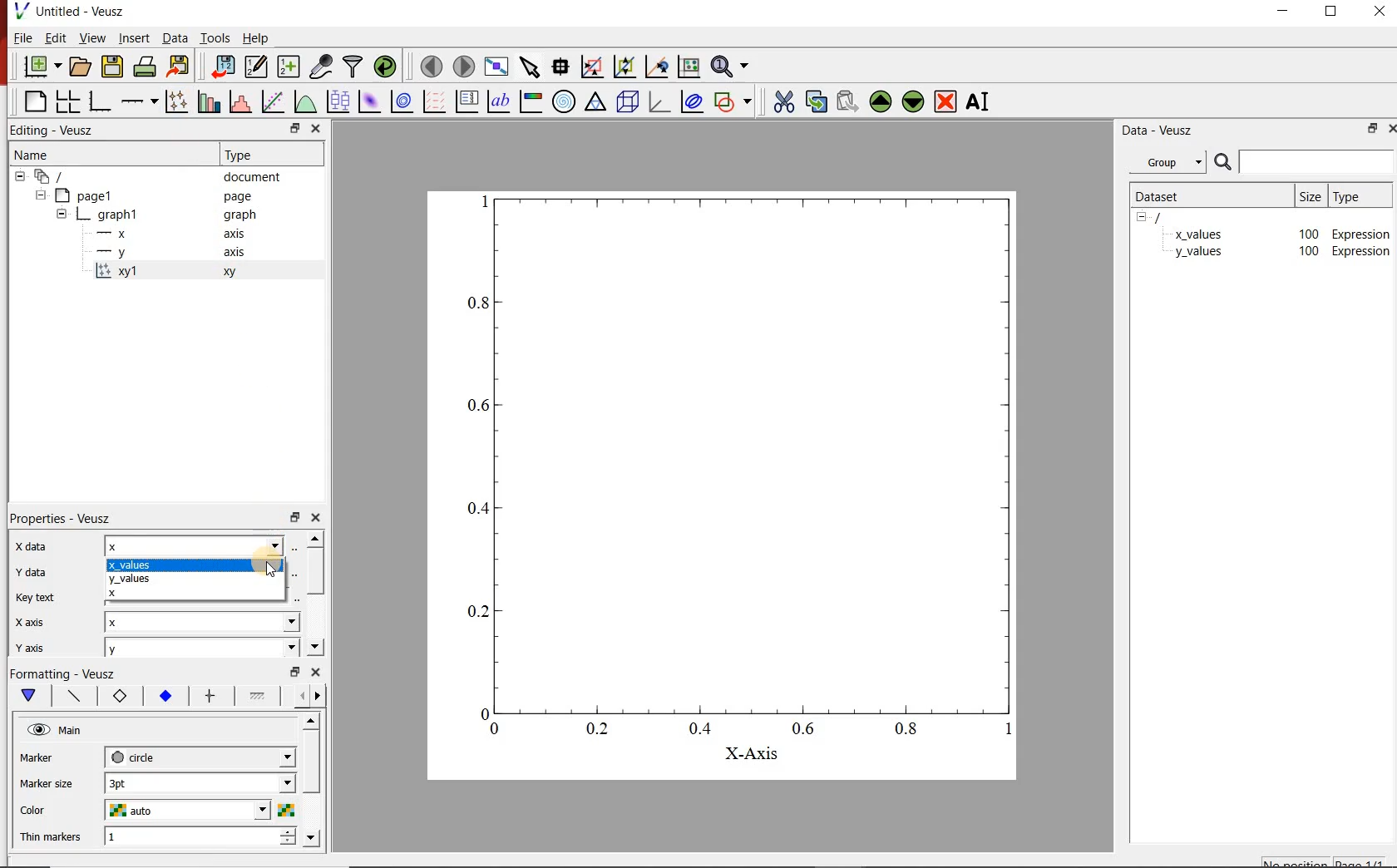 The image size is (1397, 868). What do you see at coordinates (1147, 218) in the screenshot?
I see `hide` at bounding box center [1147, 218].